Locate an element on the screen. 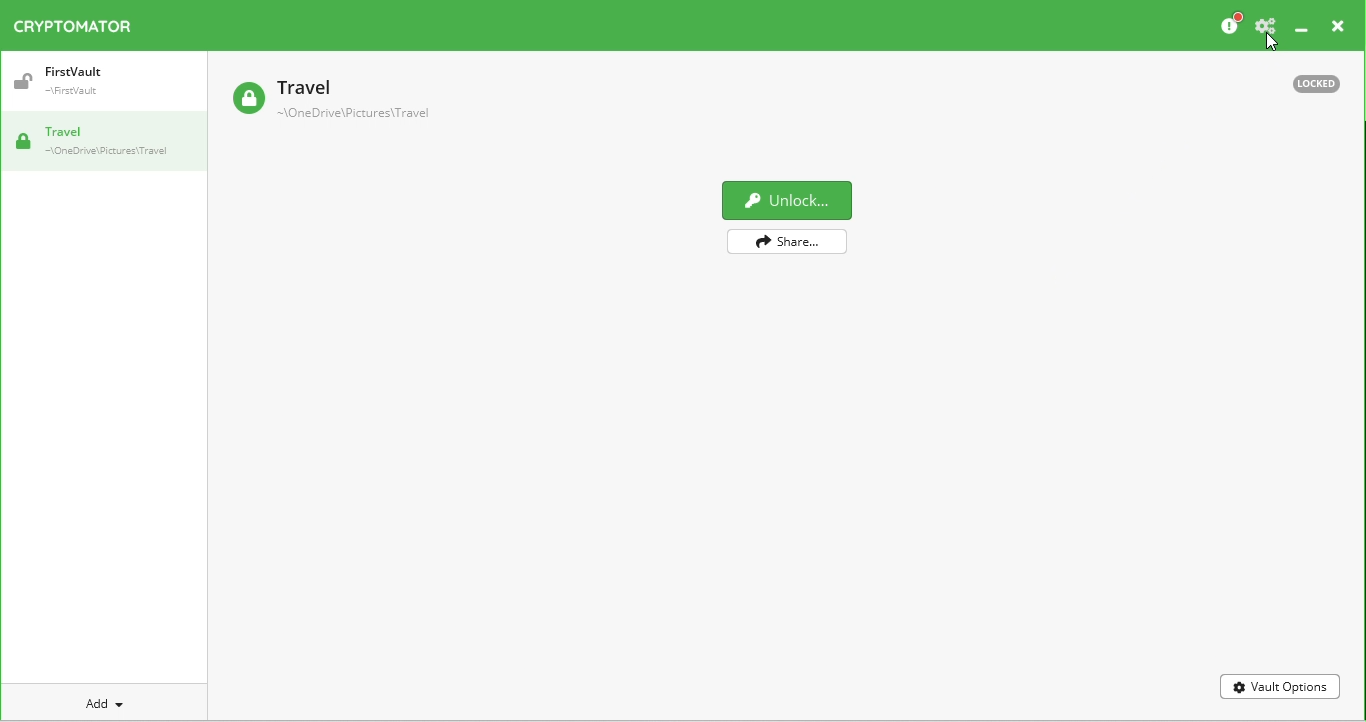 The height and width of the screenshot is (722, 1366). Share  is located at coordinates (788, 241).